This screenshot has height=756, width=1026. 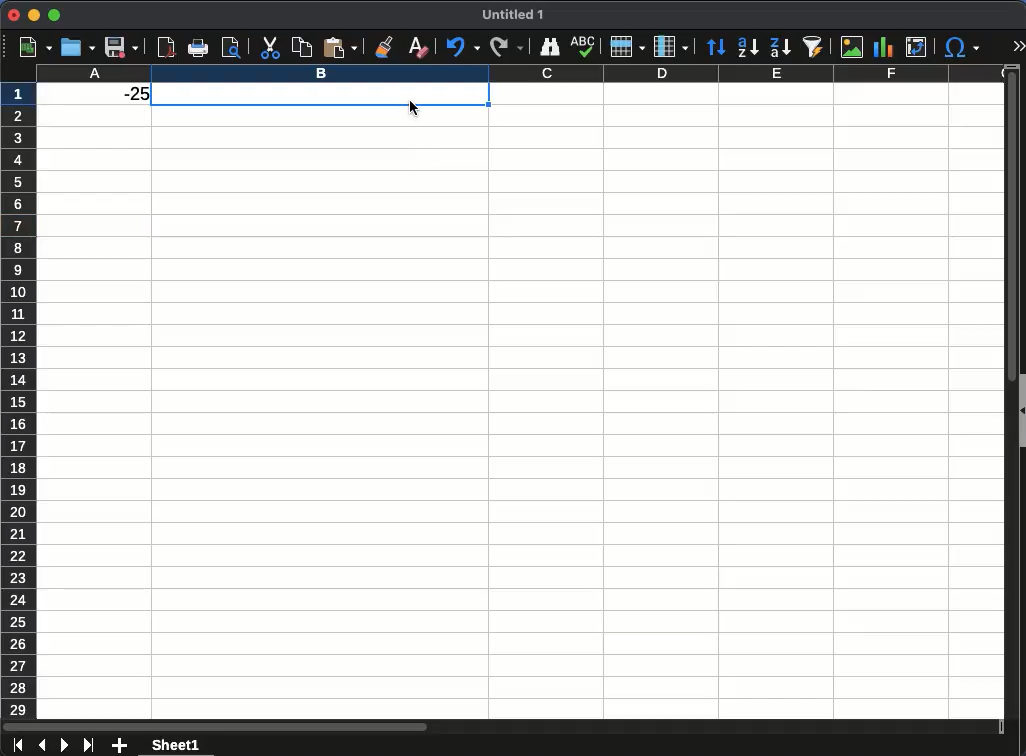 I want to click on print preview, so click(x=231, y=48).